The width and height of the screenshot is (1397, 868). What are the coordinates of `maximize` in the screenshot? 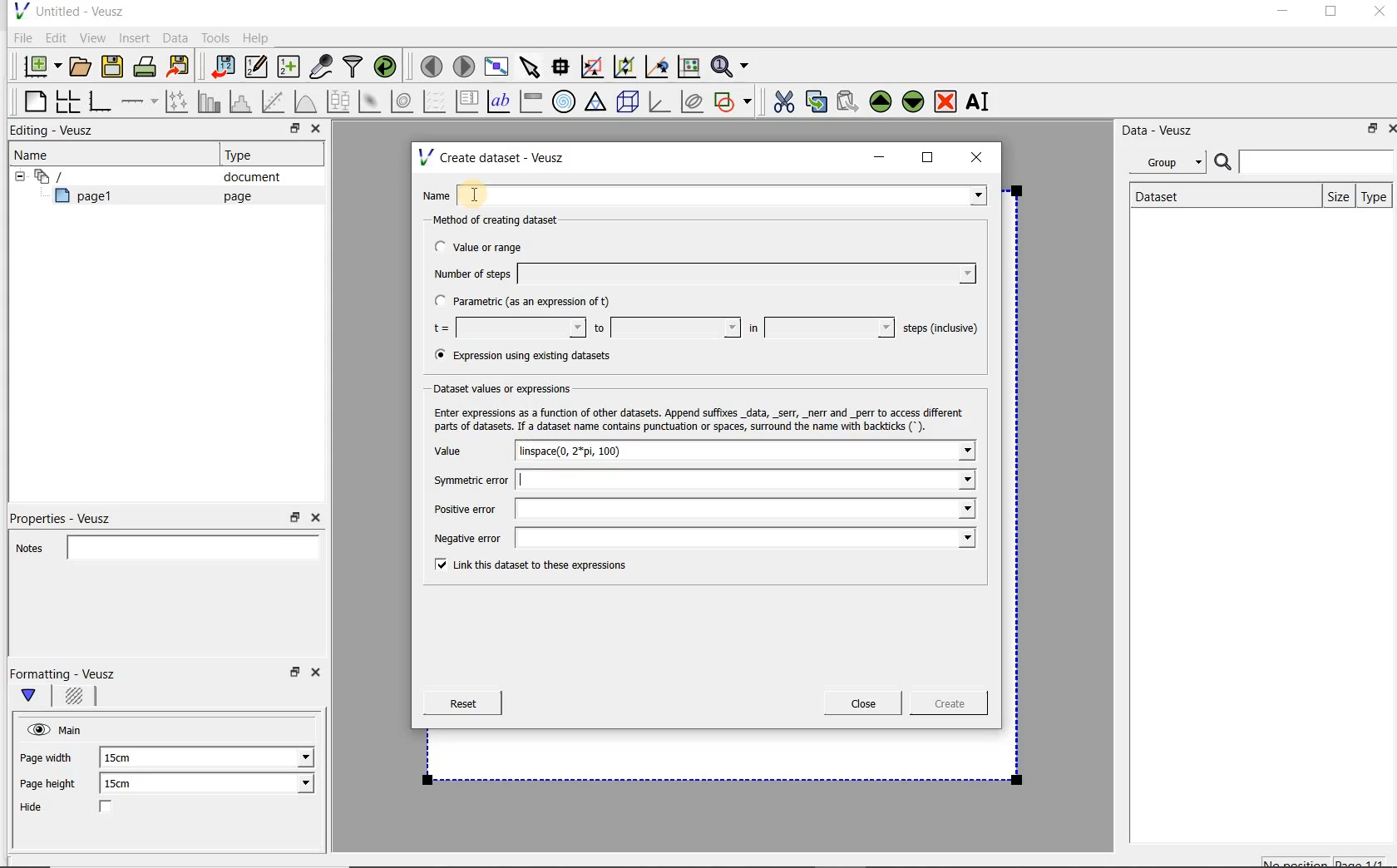 It's located at (928, 158).